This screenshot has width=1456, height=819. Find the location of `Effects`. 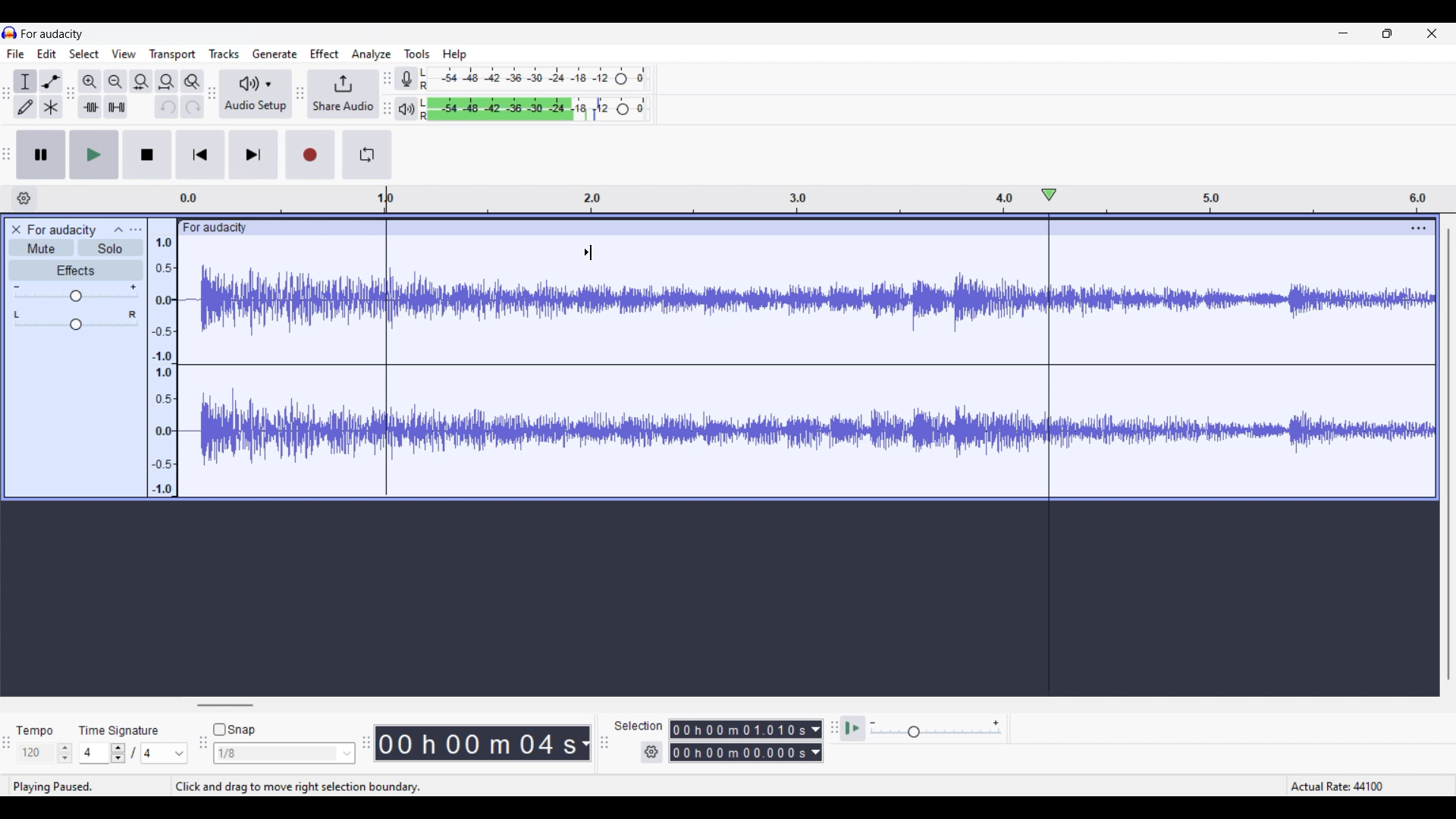

Effects is located at coordinates (75, 270).